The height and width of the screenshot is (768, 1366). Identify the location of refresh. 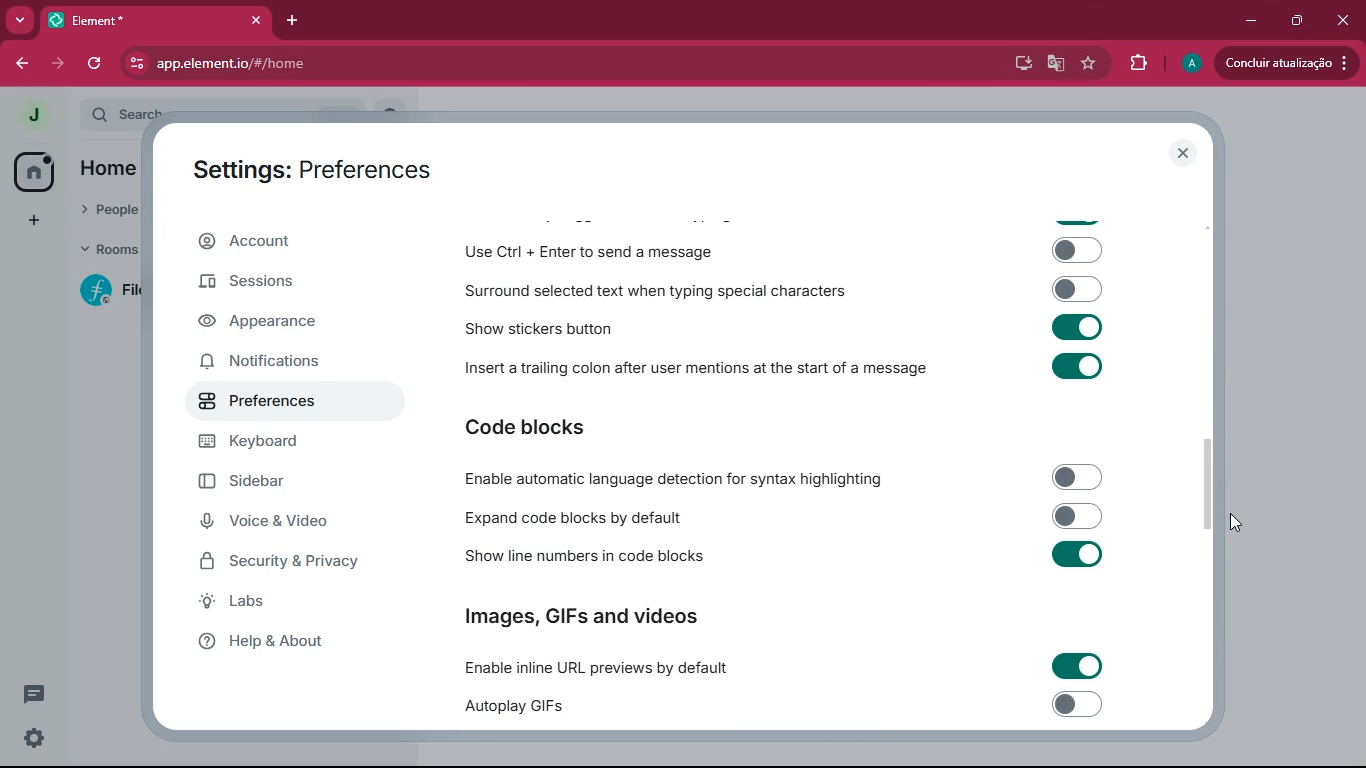
(98, 63).